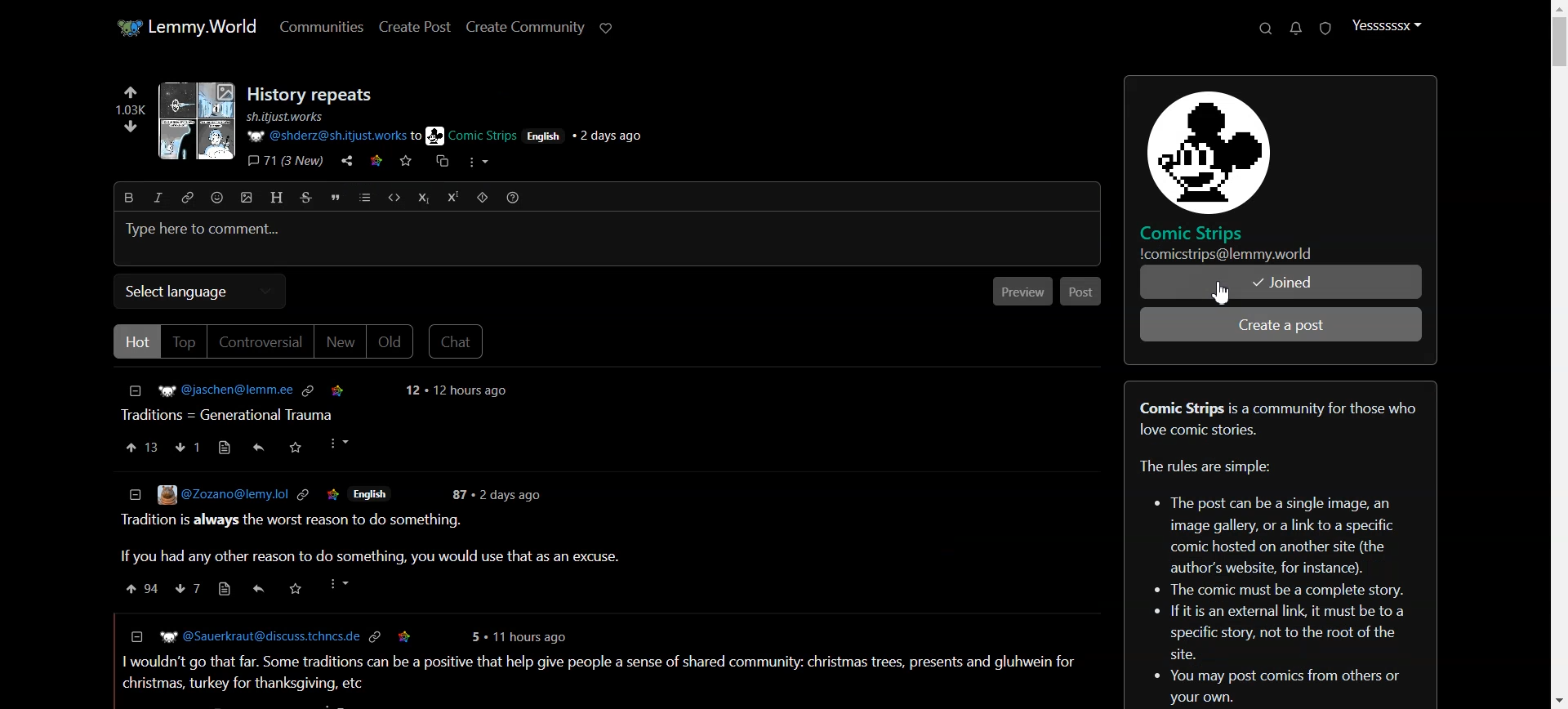 This screenshot has height=709, width=1568. What do you see at coordinates (278, 198) in the screenshot?
I see `Header` at bounding box center [278, 198].